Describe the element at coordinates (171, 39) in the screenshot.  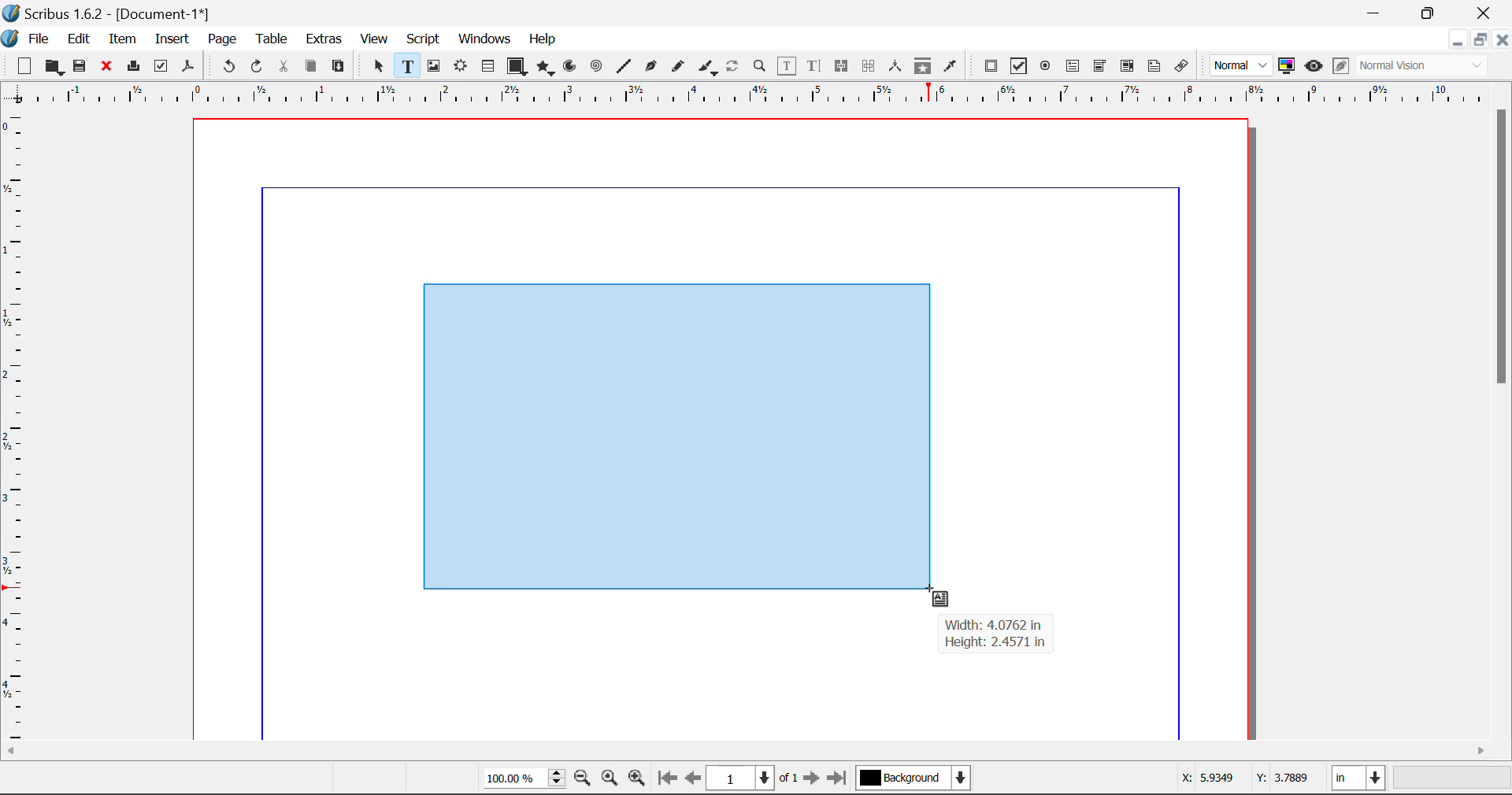
I see `Insert` at that location.